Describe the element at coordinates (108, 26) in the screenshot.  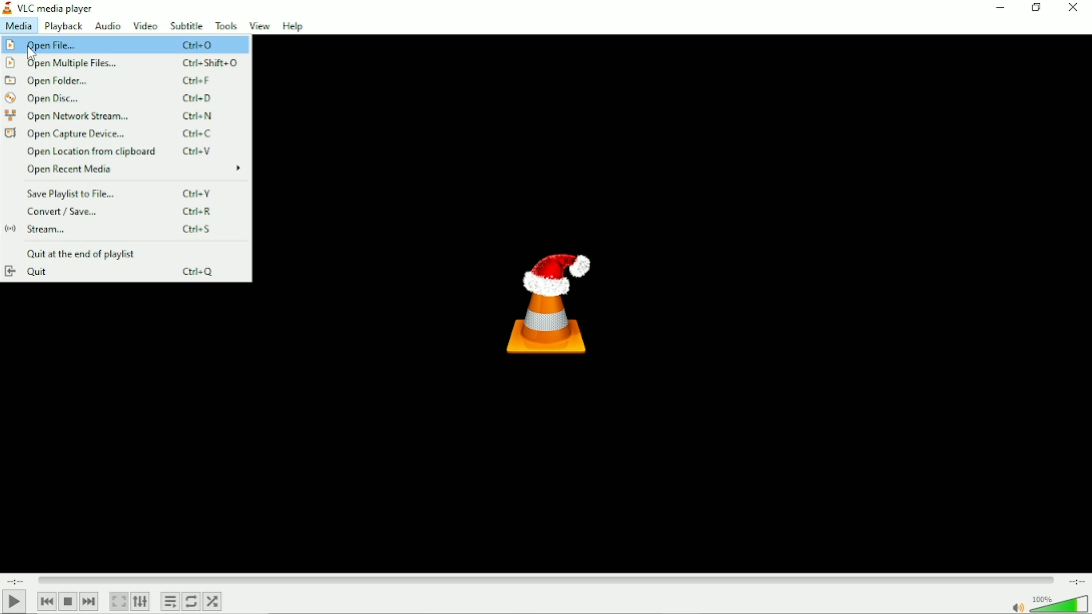
I see `Audio` at that location.